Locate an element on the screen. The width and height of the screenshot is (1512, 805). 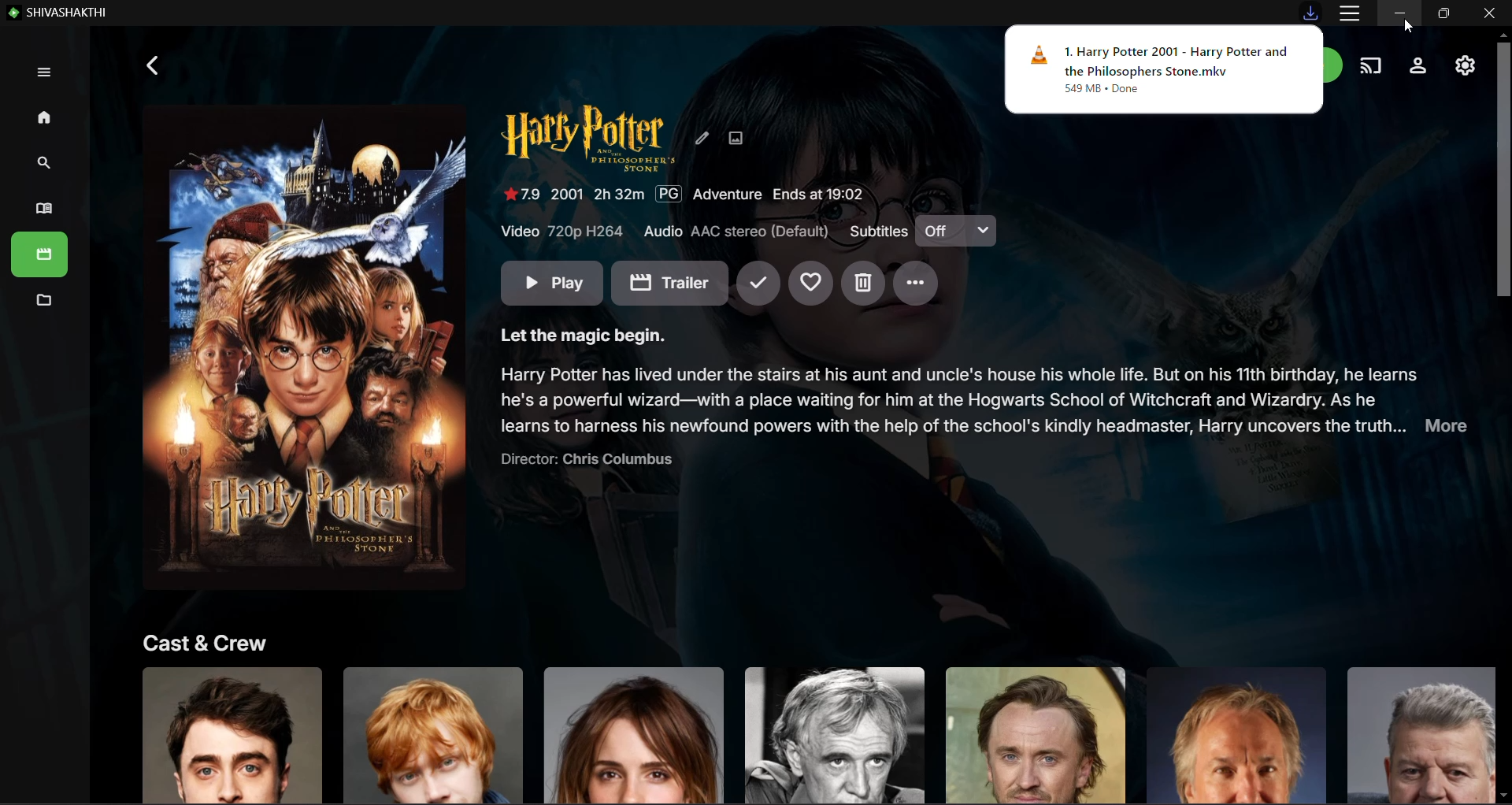
Delete is located at coordinates (863, 284).